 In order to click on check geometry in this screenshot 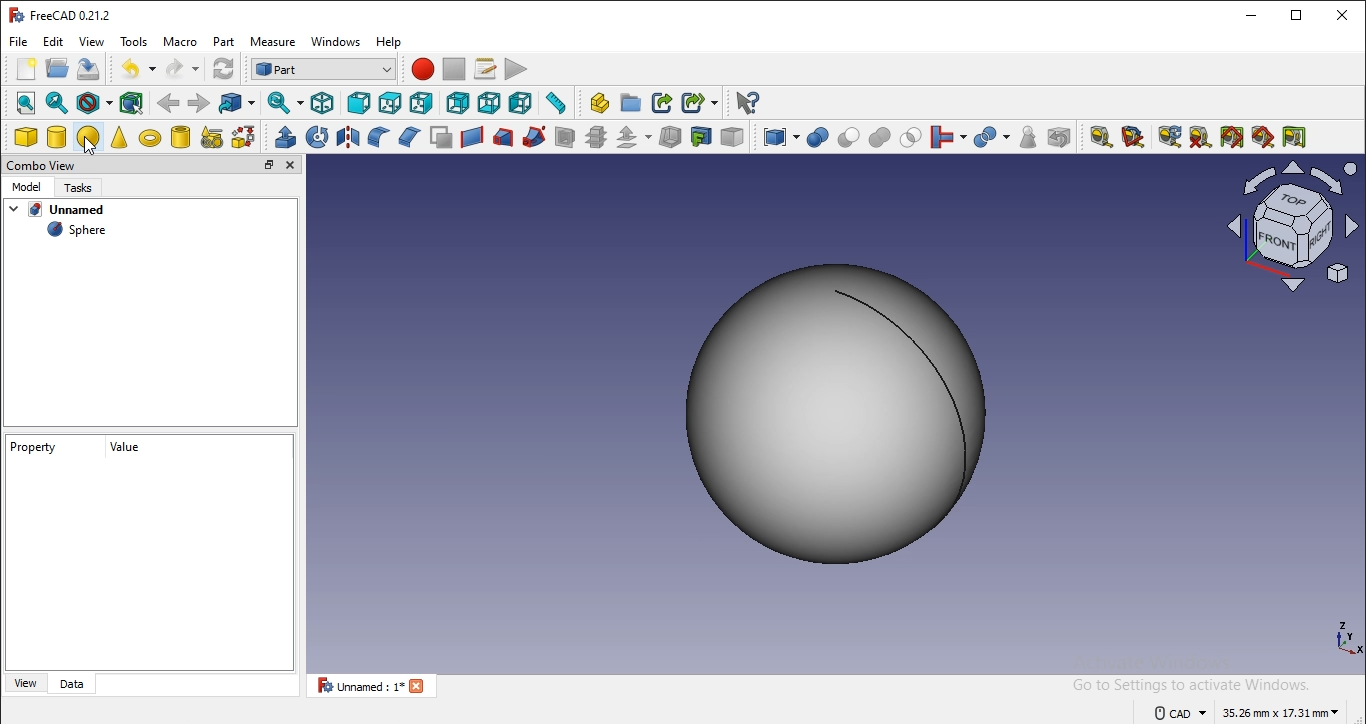, I will do `click(1027, 138)`.